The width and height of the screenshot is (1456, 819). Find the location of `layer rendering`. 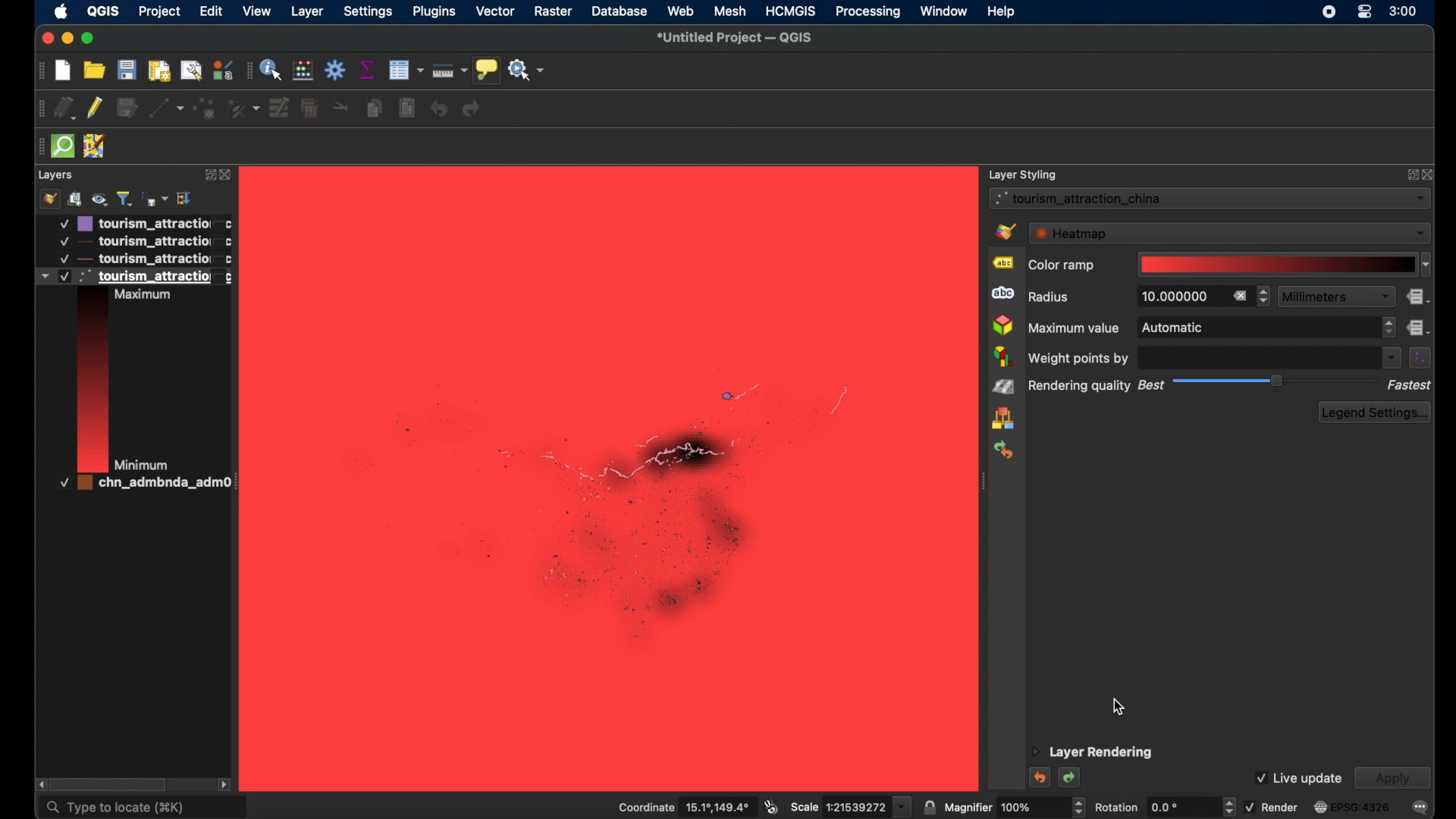

layer rendering is located at coordinates (1093, 753).